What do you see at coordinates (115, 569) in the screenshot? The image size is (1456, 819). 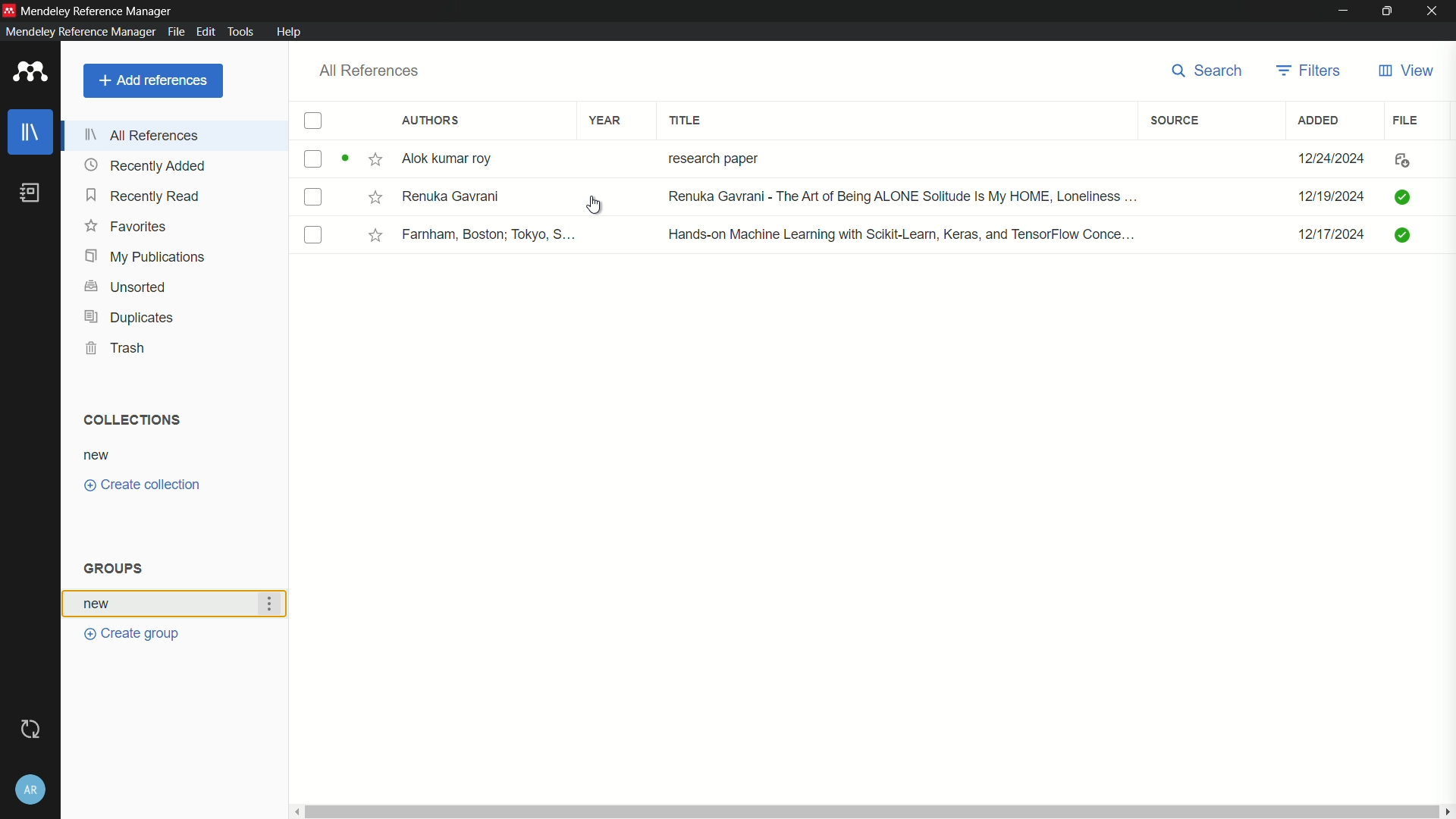 I see `groups` at bounding box center [115, 569].